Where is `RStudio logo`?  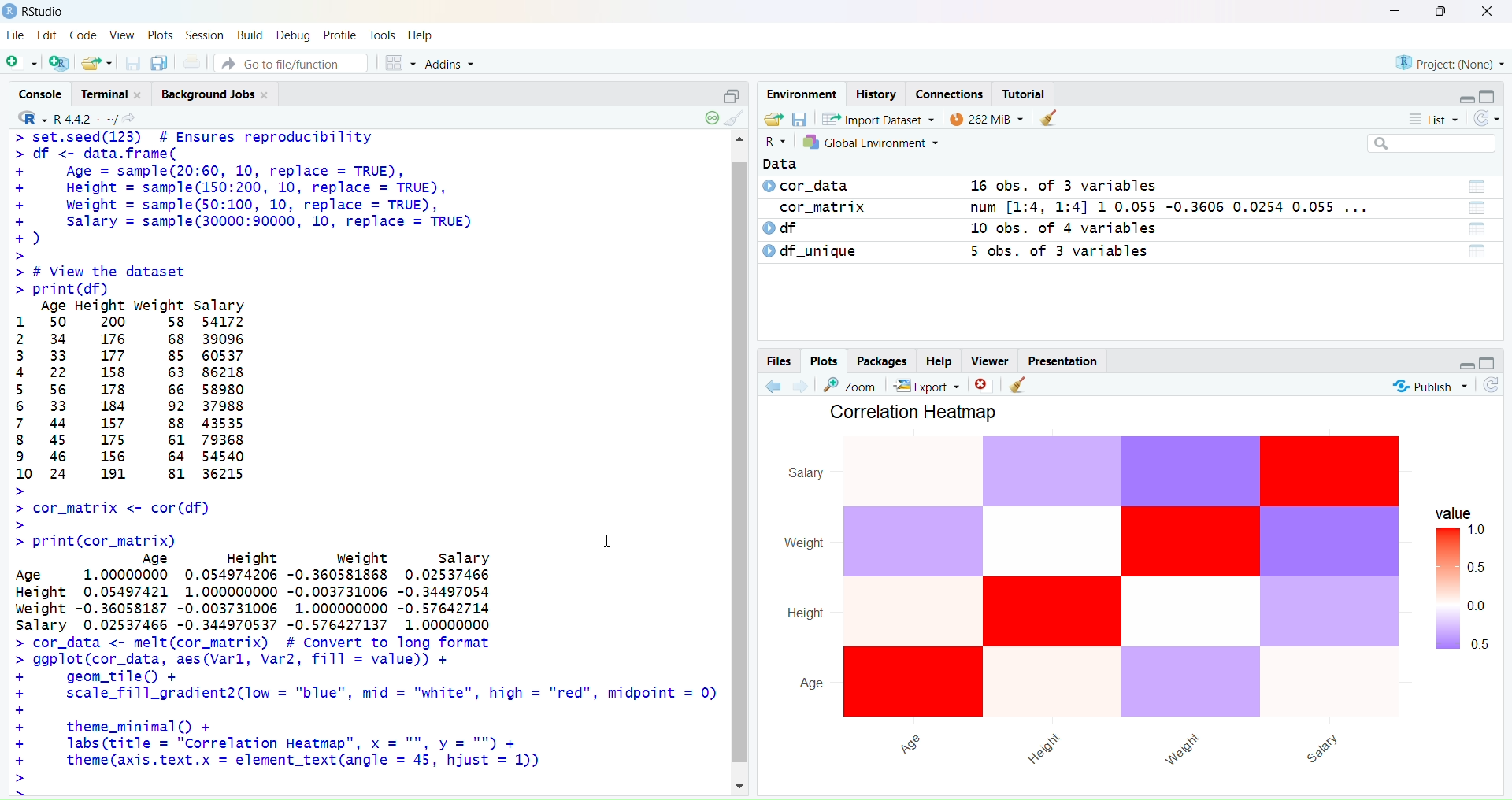
RStudio logo is located at coordinates (28, 117).